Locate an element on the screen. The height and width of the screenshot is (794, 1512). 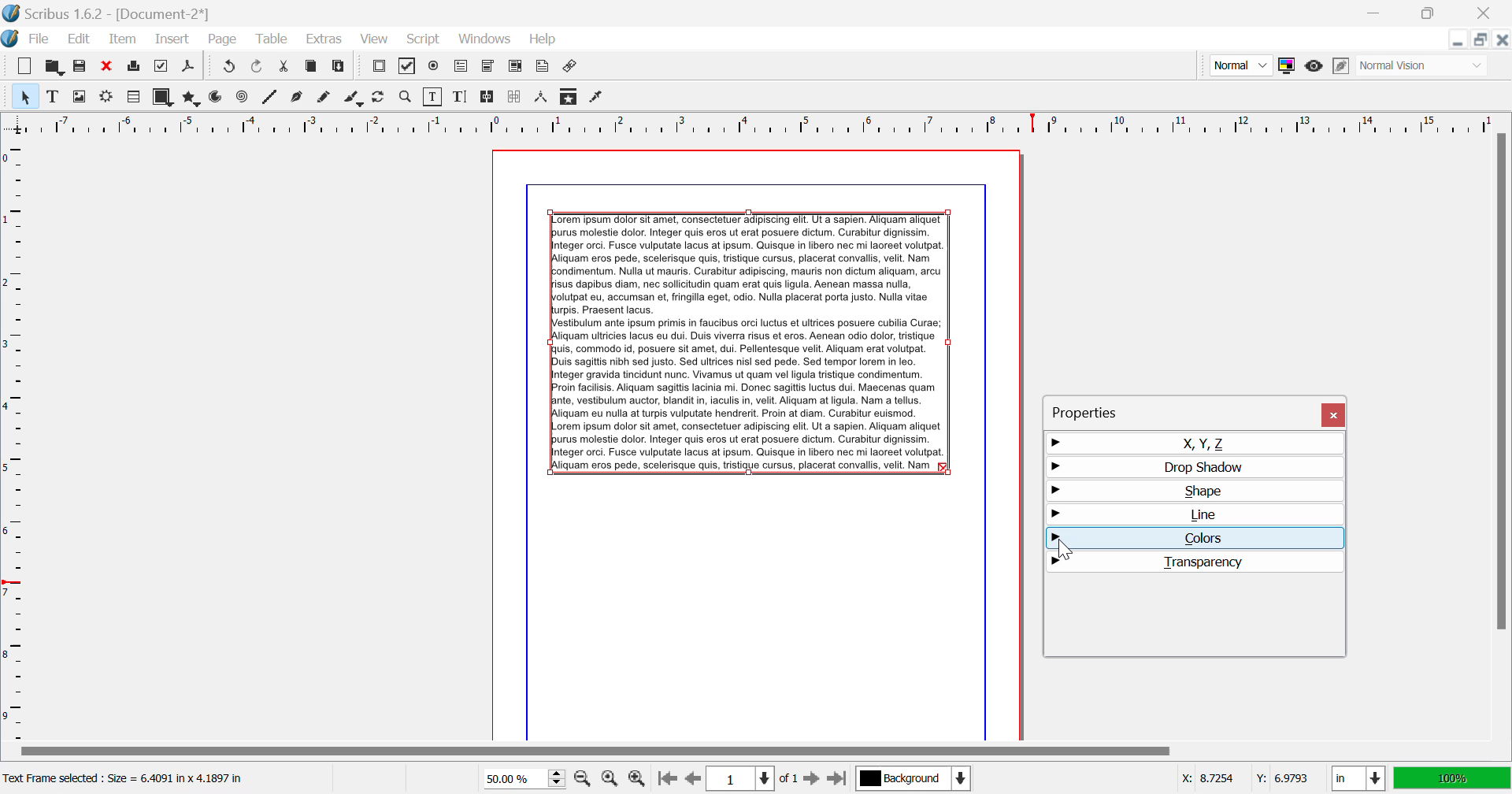
Zoom is located at coordinates (406, 97).